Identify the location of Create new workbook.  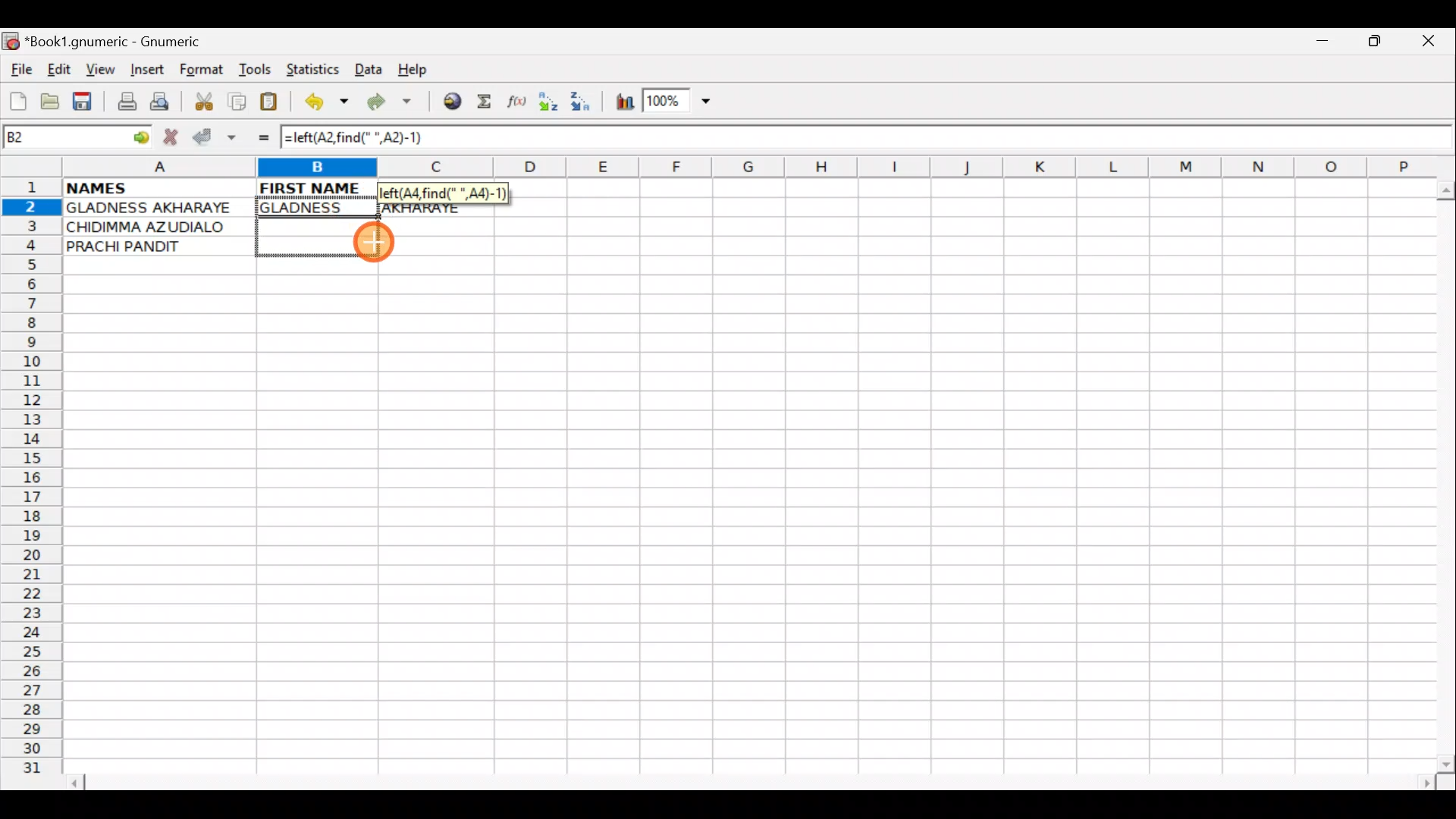
(17, 99).